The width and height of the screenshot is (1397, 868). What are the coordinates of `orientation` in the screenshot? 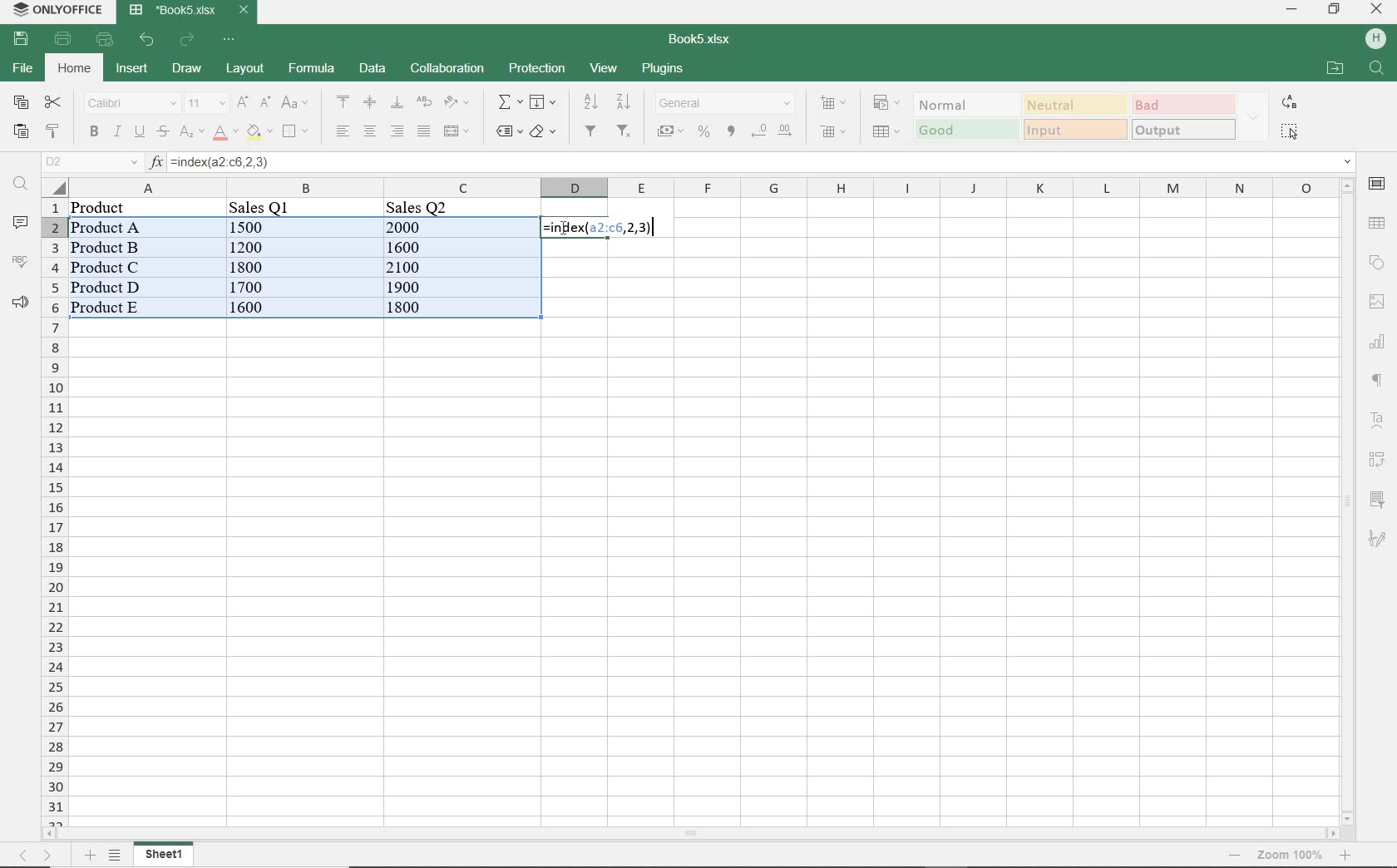 It's located at (455, 103).